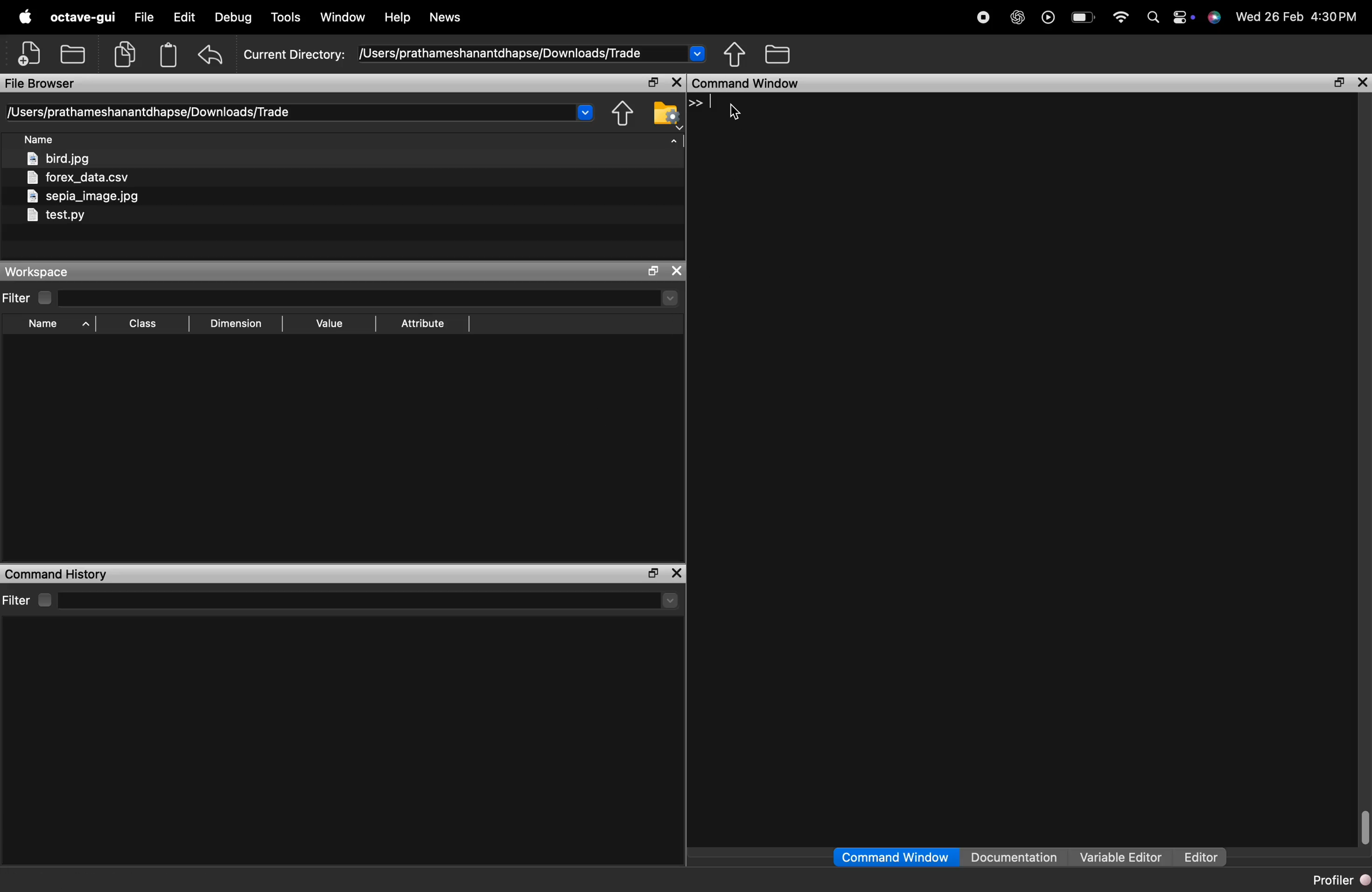  What do you see at coordinates (55, 215) in the screenshot?
I see ` testpy` at bounding box center [55, 215].